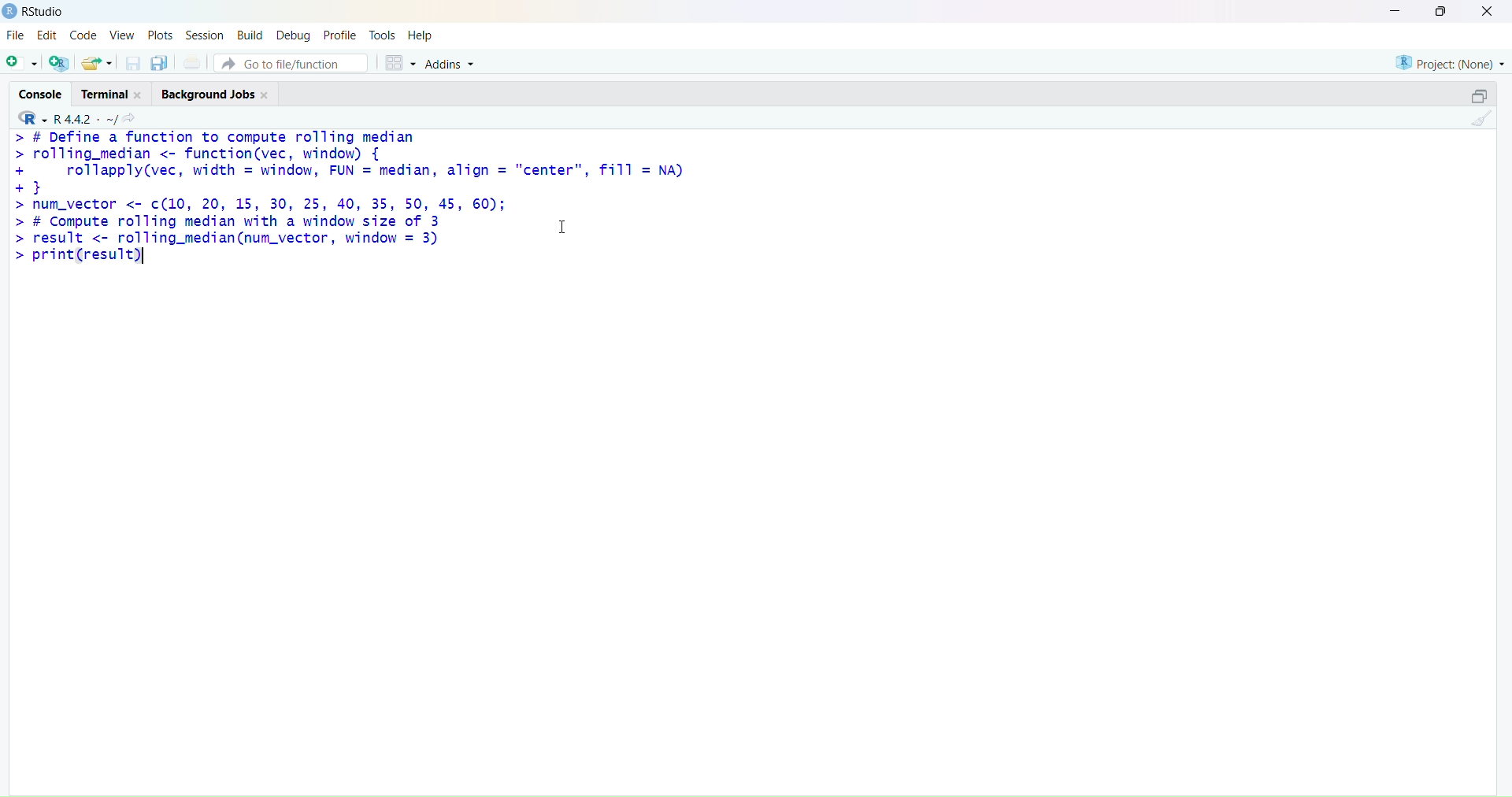  What do you see at coordinates (265, 96) in the screenshot?
I see `close` at bounding box center [265, 96].